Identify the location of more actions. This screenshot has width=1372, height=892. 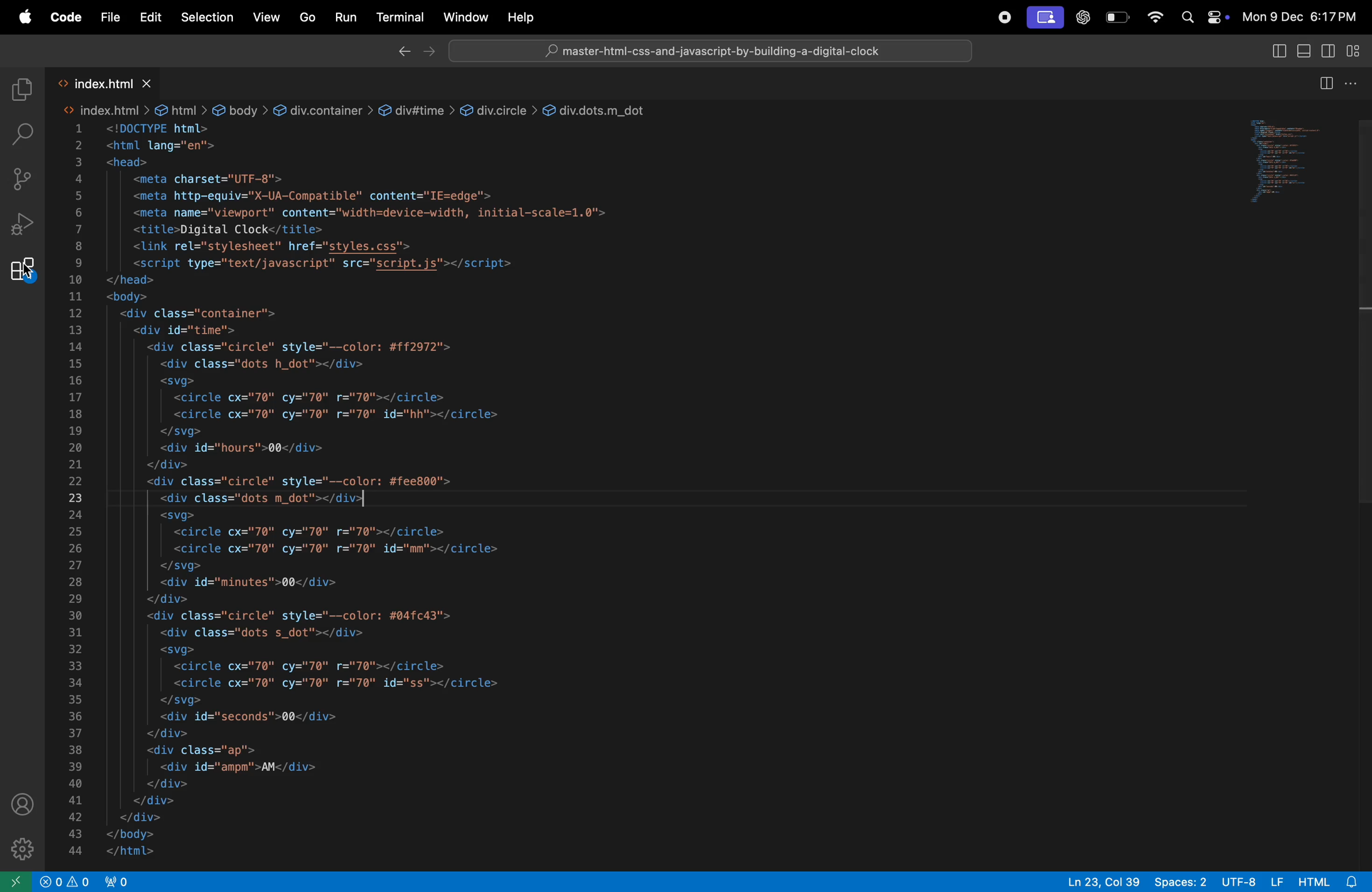
(1355, 81).